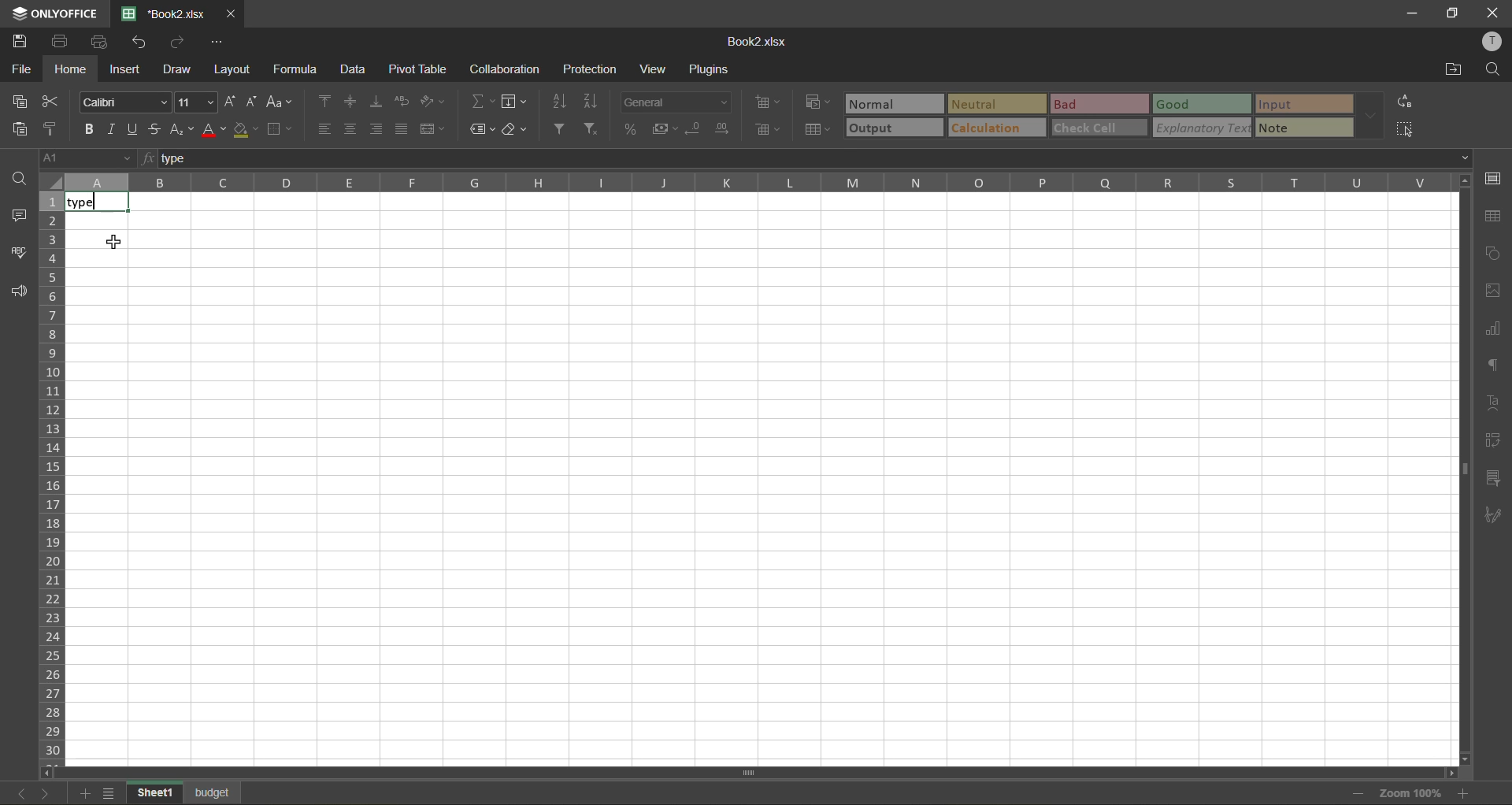 The width and height of the screenshot is (1512, 805). Describe the element at coordinates (153, 792) in the screenshot. I see `sheet names` at that location.